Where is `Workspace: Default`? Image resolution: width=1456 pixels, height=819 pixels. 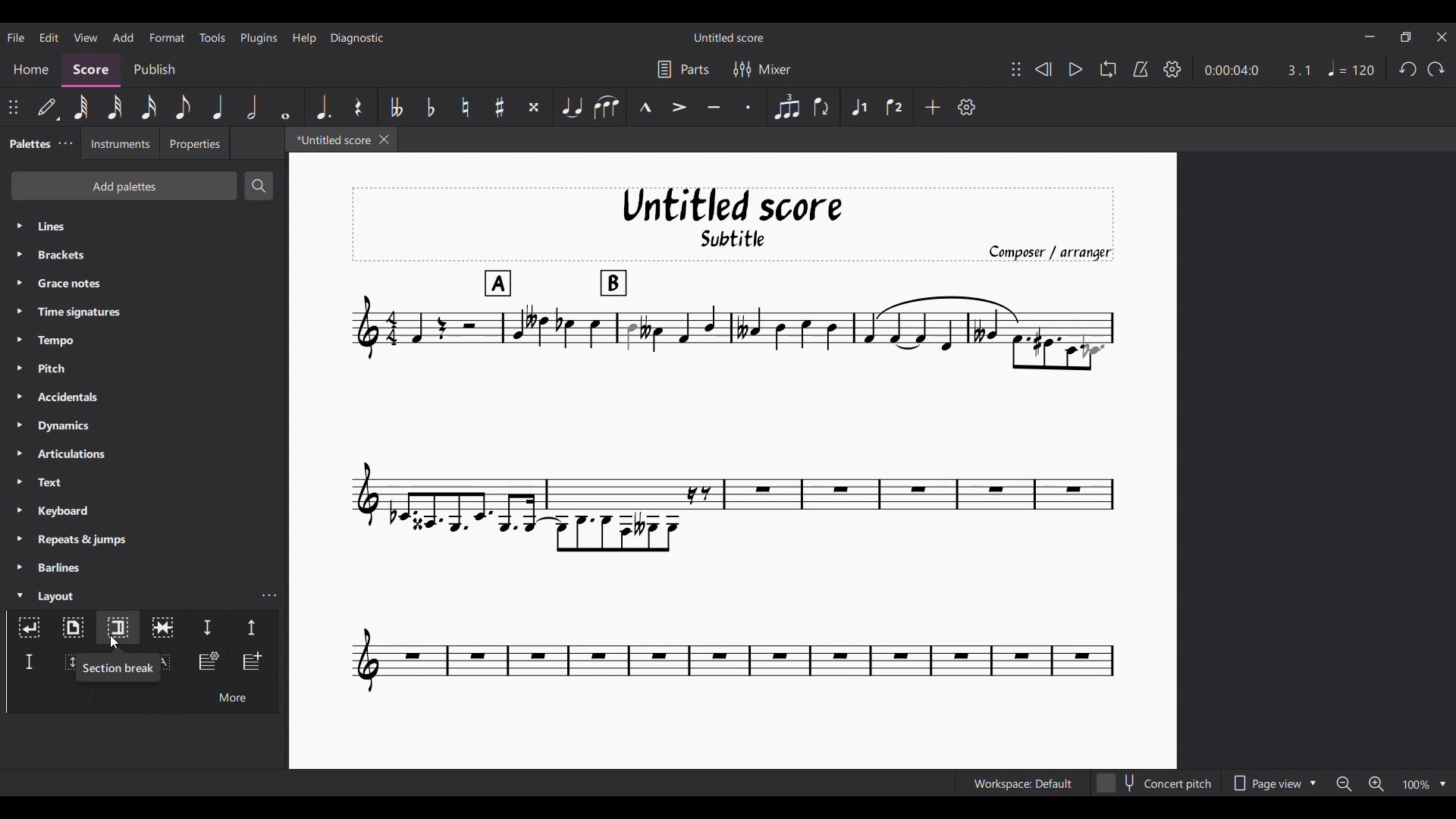 Workspace: Default is located at coordinates (1023, 783).